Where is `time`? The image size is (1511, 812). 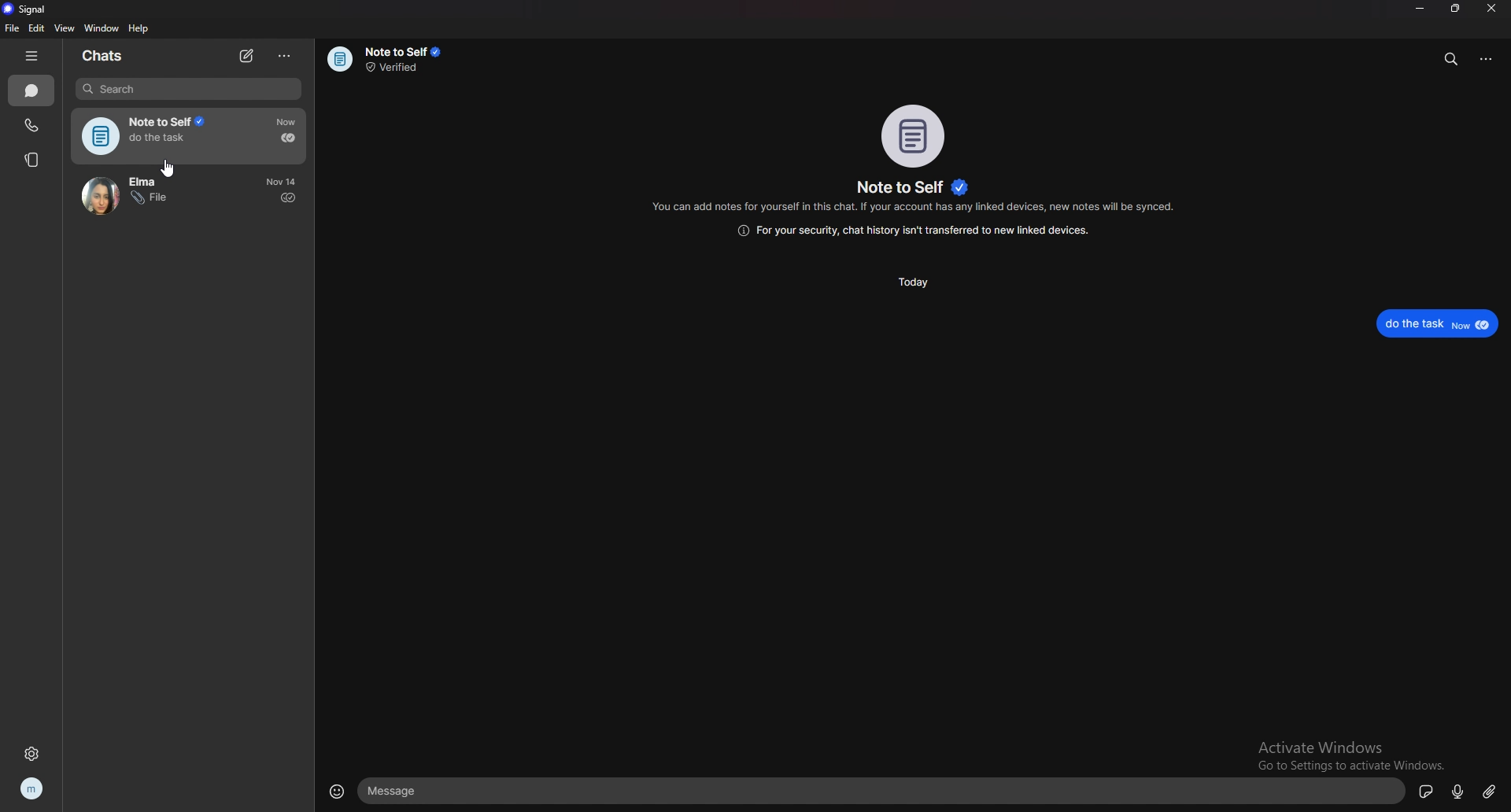 time is located at coordinates (286, 121).